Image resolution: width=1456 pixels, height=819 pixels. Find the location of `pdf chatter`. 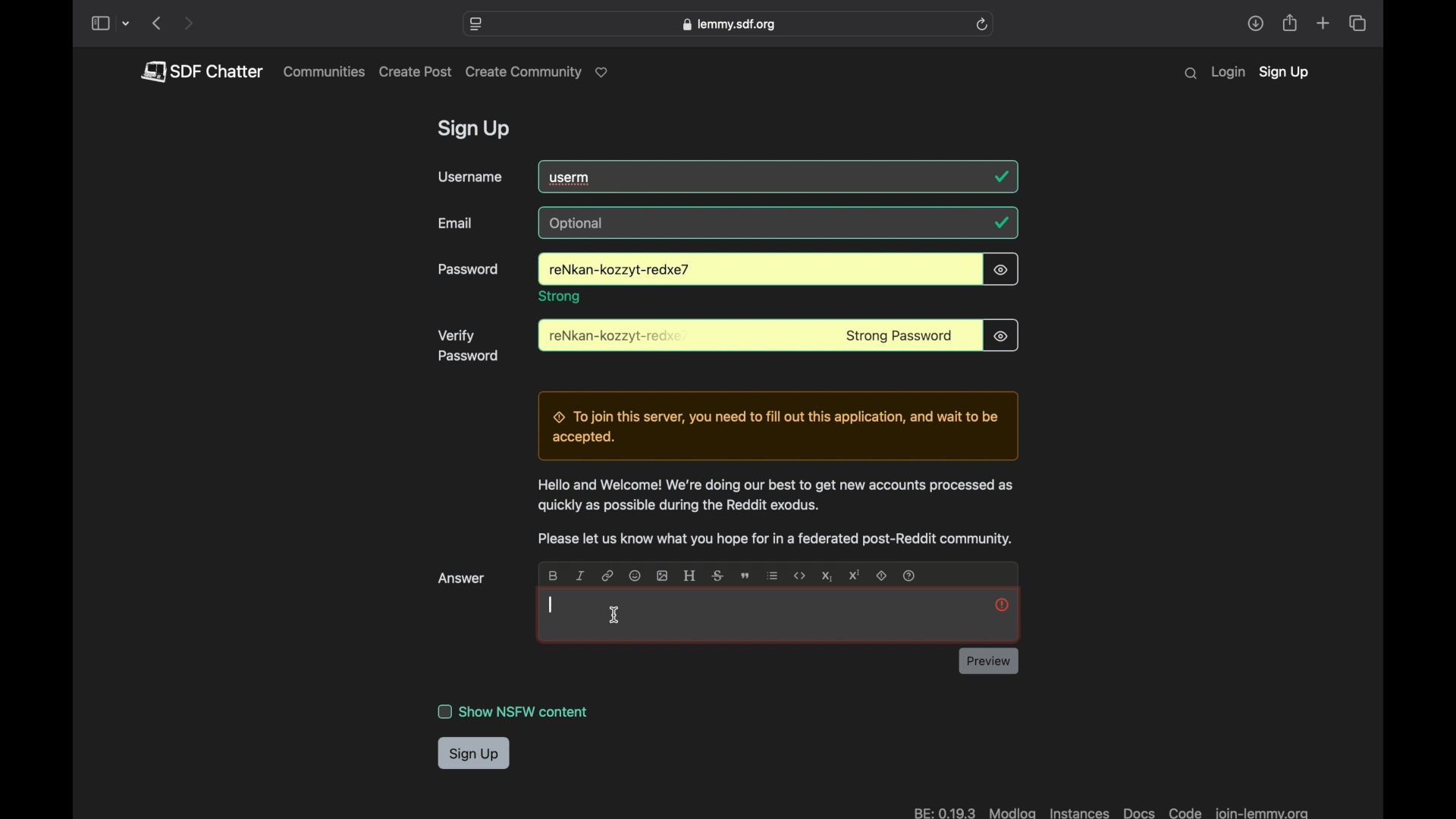

pdf chatter is located at coordinates (201, 71).